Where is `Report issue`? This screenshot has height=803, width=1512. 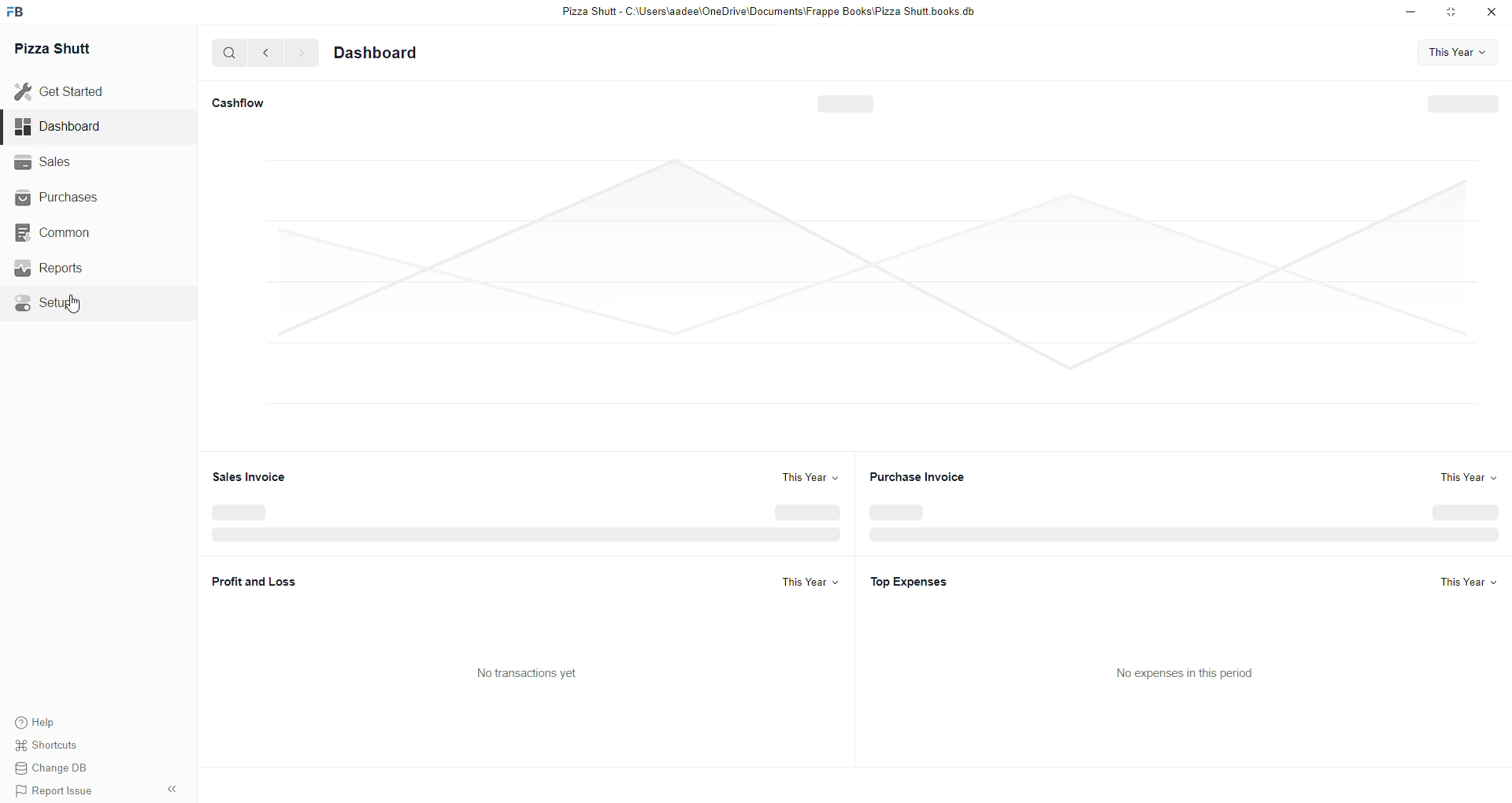 Report issue is located at coordinates (56, 793).